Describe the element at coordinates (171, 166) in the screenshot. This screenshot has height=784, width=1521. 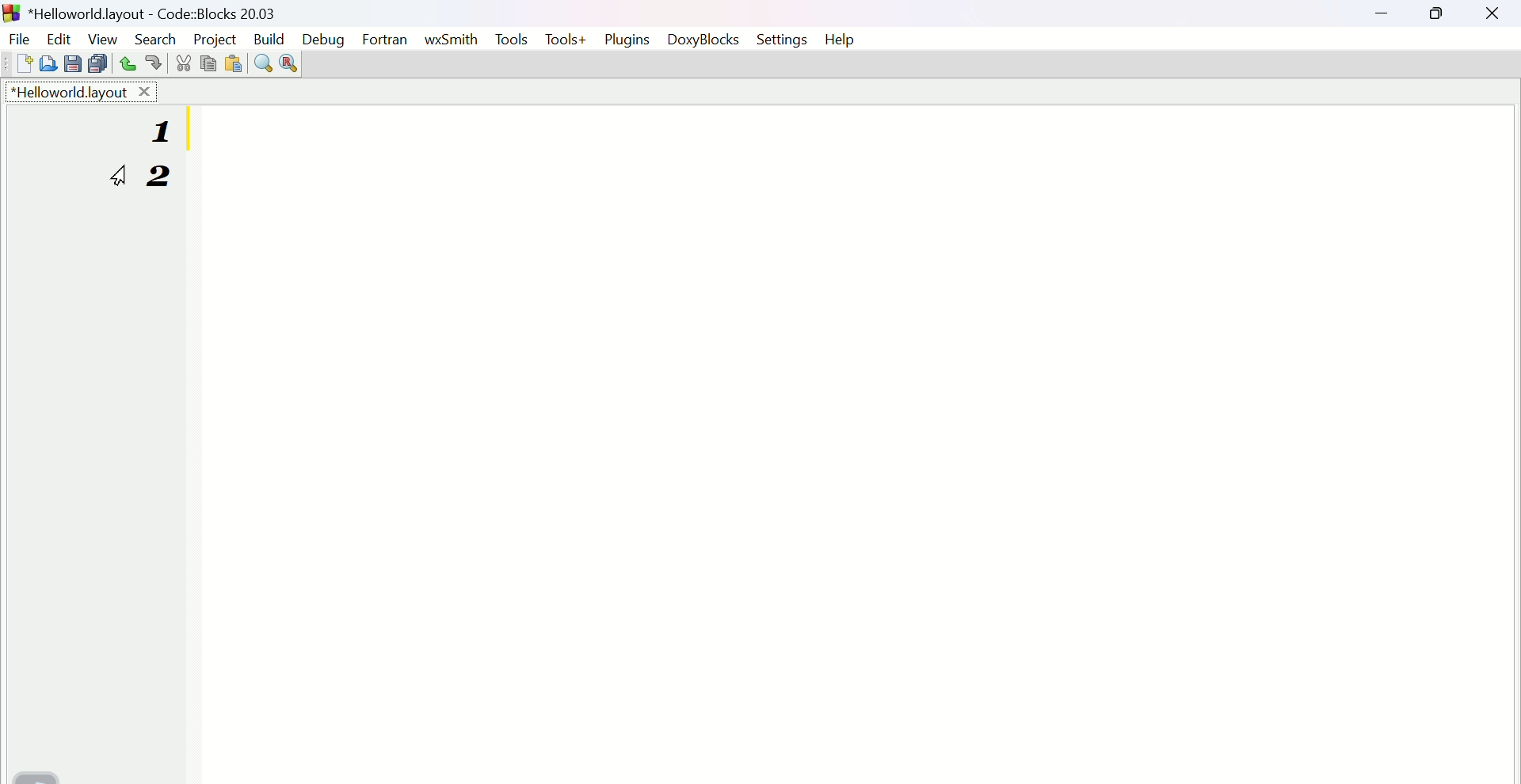
I see `1, 2` at that location.